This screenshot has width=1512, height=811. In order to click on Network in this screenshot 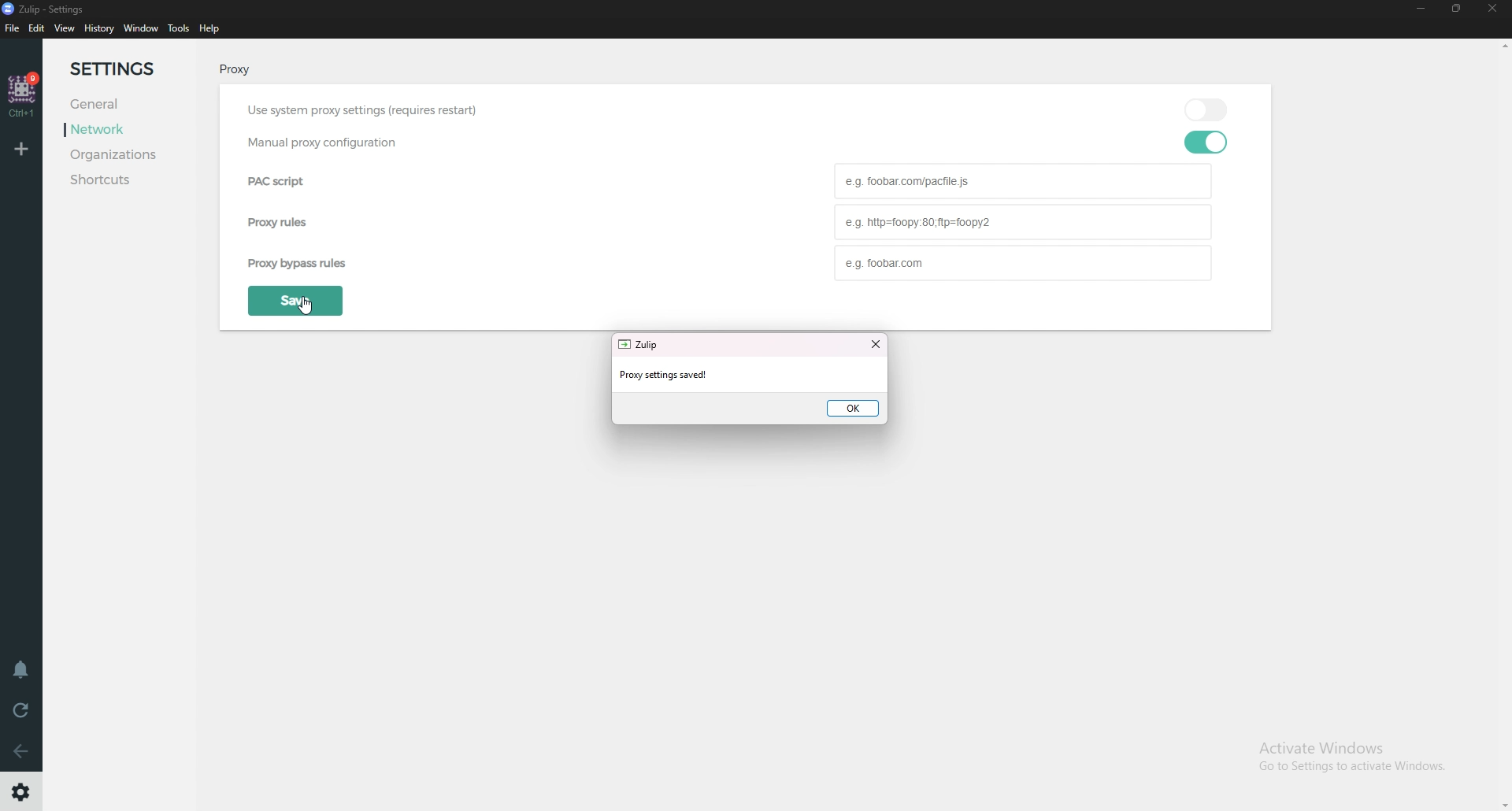, I will do `click(114, 129)`.